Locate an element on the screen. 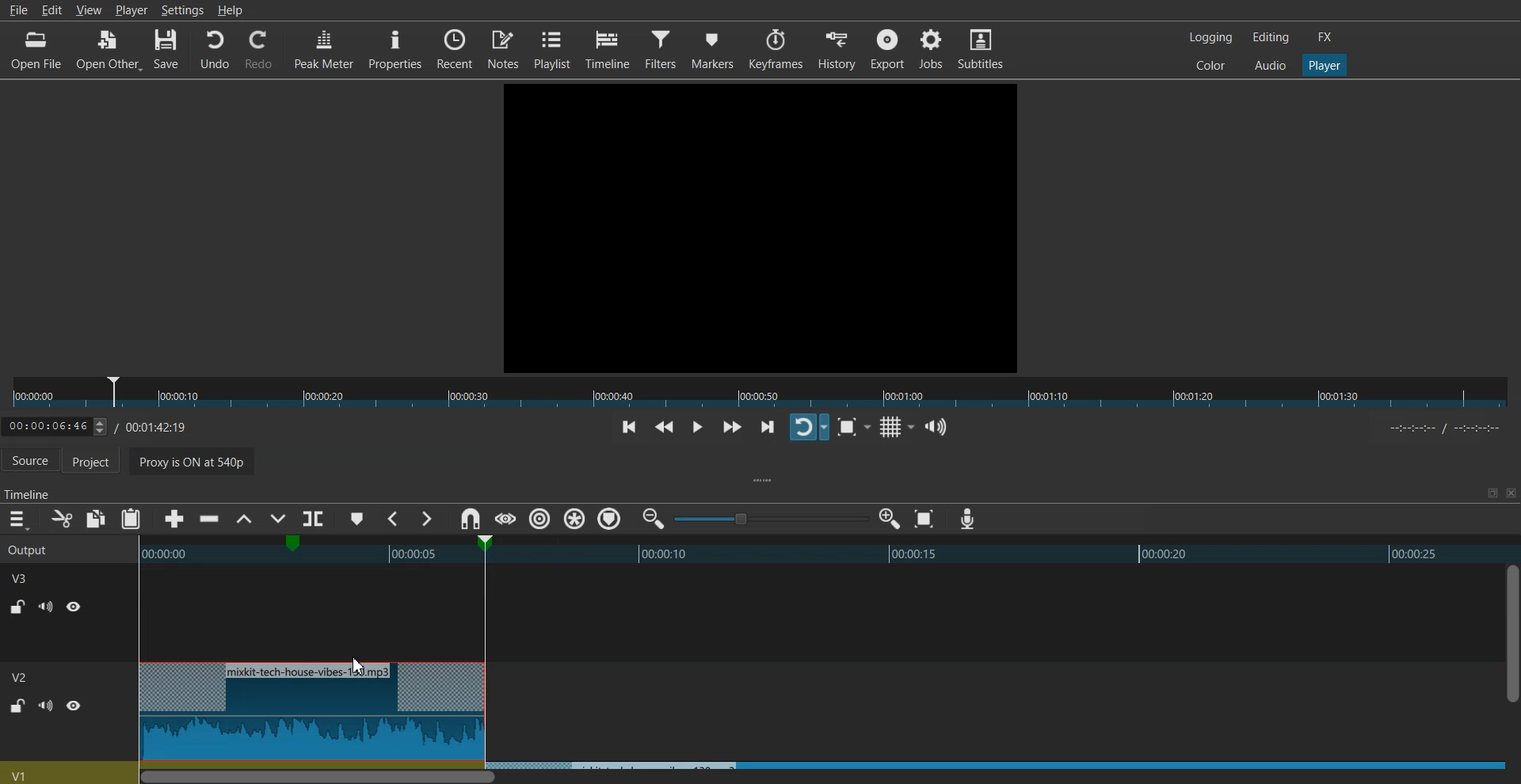 This screenshot has width=1521, height=784. Toggle play or pause is located at coordinates (696, 428).